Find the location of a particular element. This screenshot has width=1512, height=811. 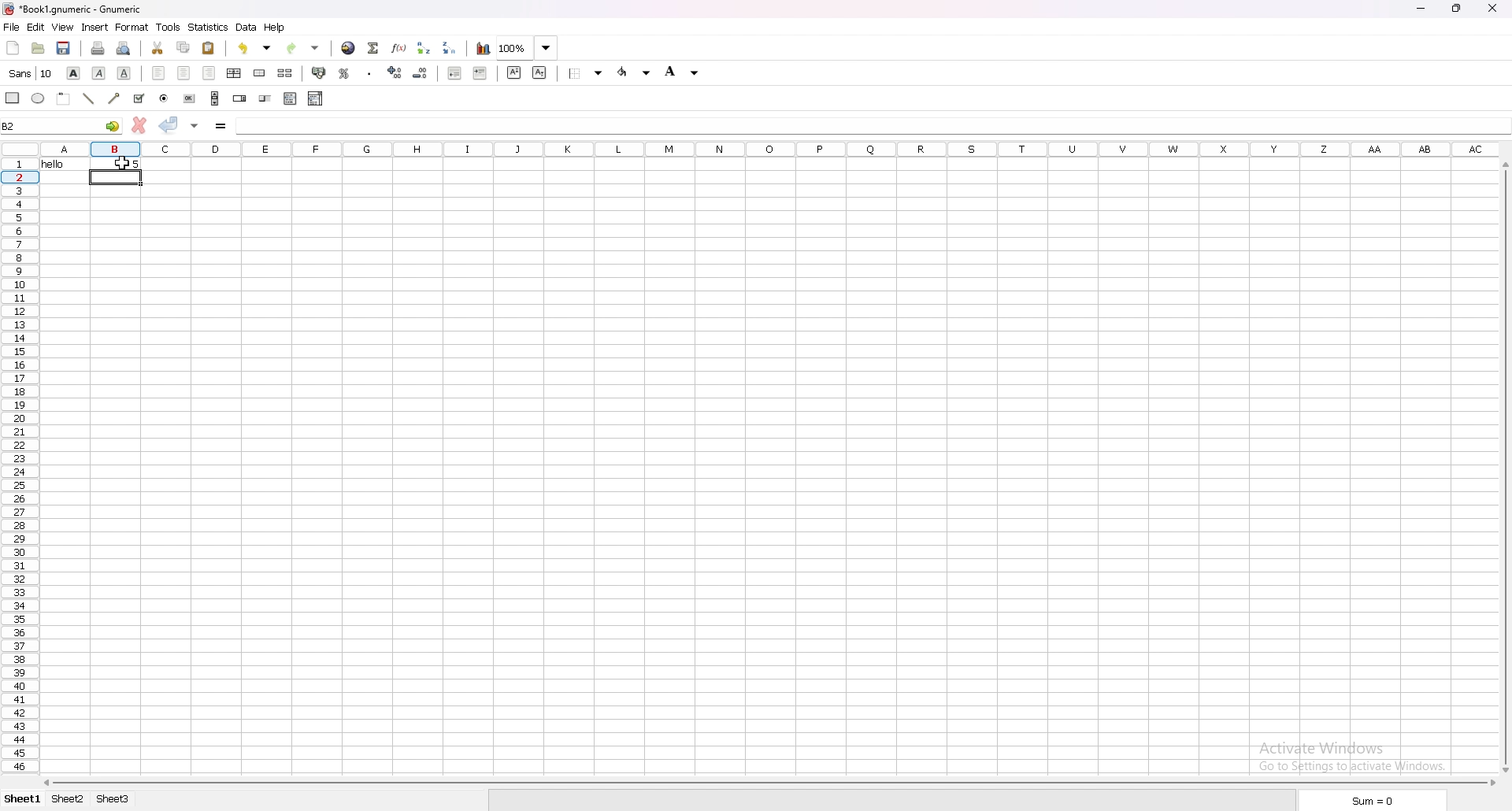

enter formula is located at coordinates (221, 126).